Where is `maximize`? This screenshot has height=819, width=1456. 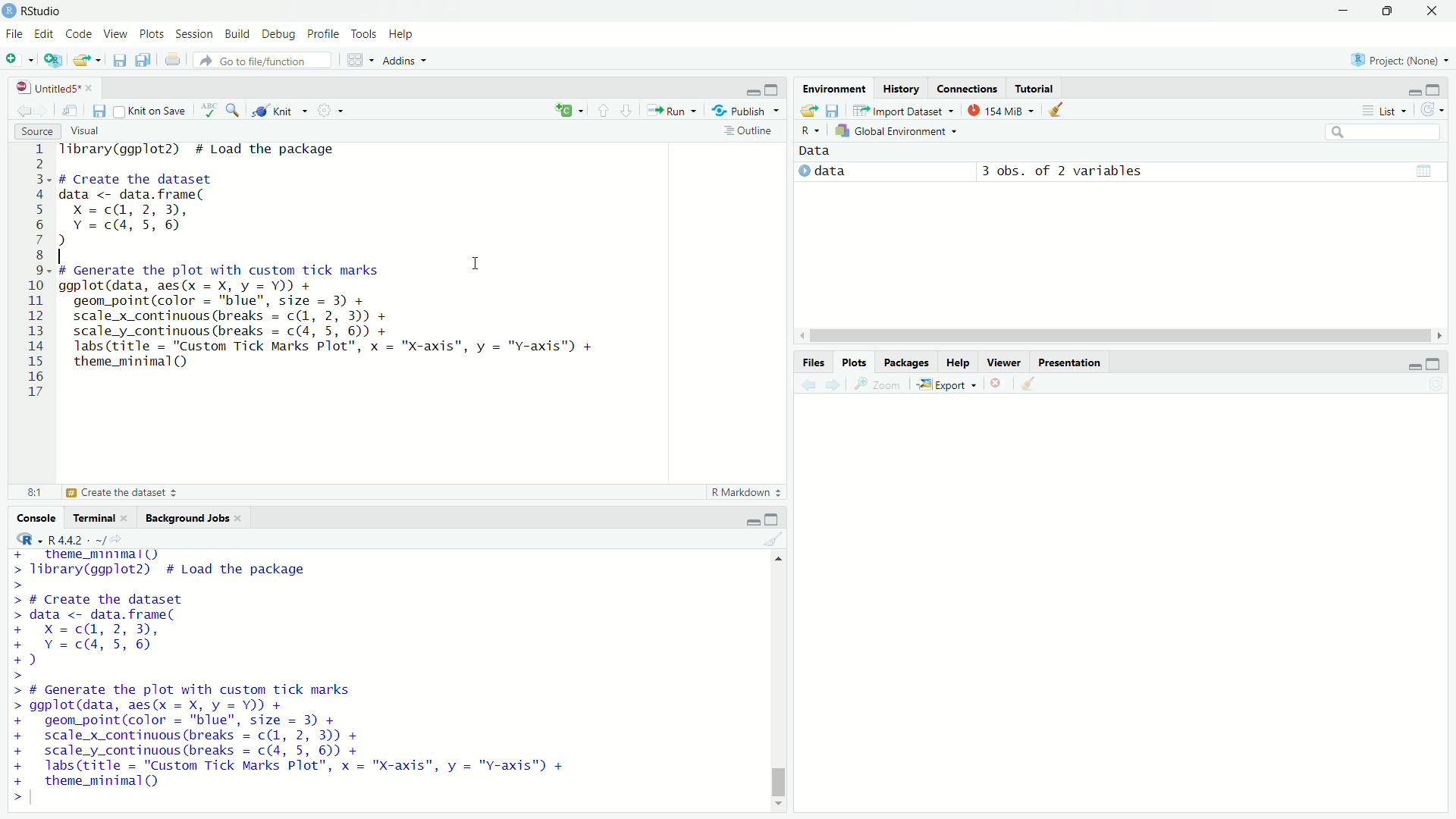
maximize is located at coordinates (1385, 9).